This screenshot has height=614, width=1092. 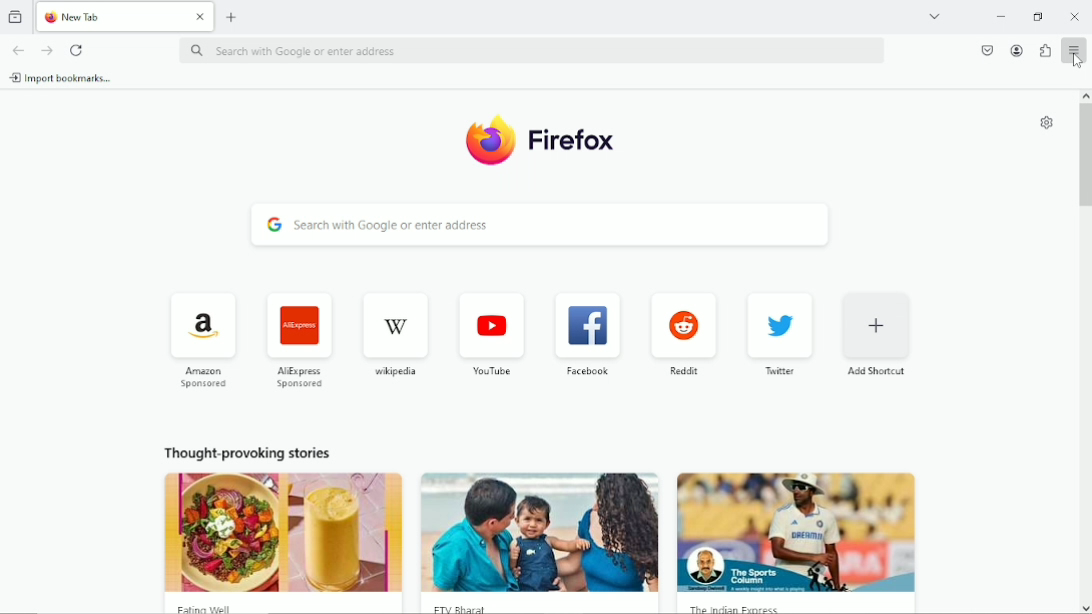 What do you see at coordinates (796, 532) in the screenshot?
I see `image` at bounding box center [796, 532].